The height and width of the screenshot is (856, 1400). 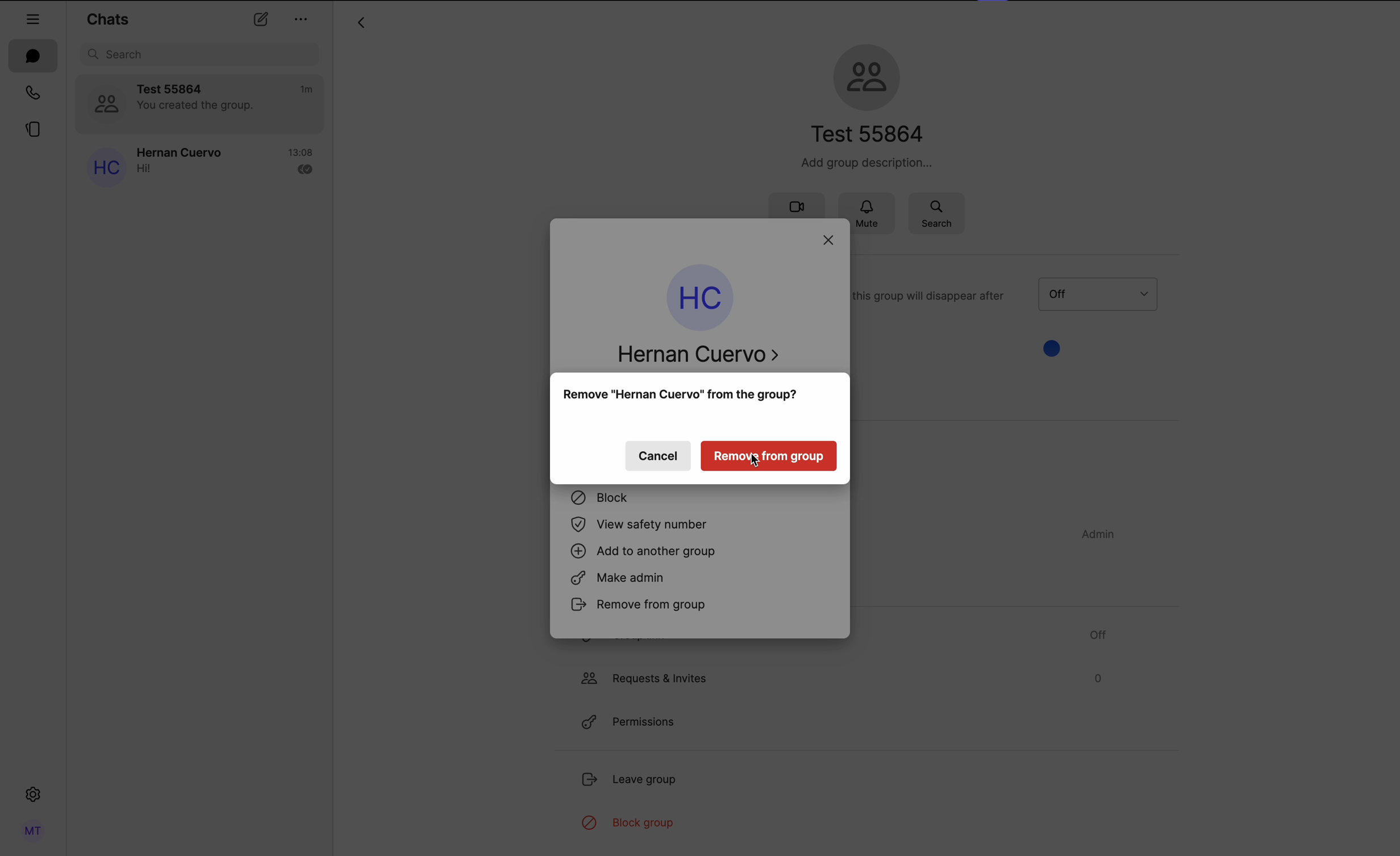 What do you see at coordinates (107, 18) in the screenshot?
I see `chats` at bounding box center [107, 18].